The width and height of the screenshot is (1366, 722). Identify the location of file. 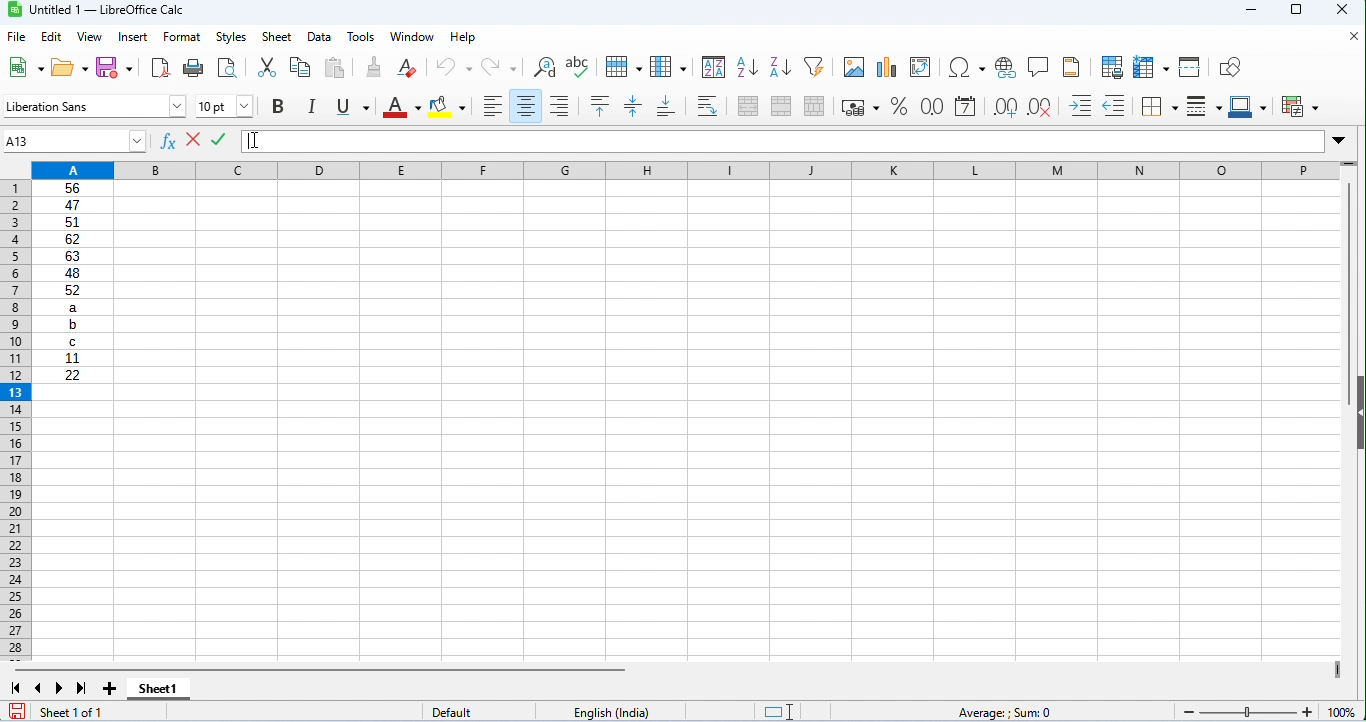
(16, 36).